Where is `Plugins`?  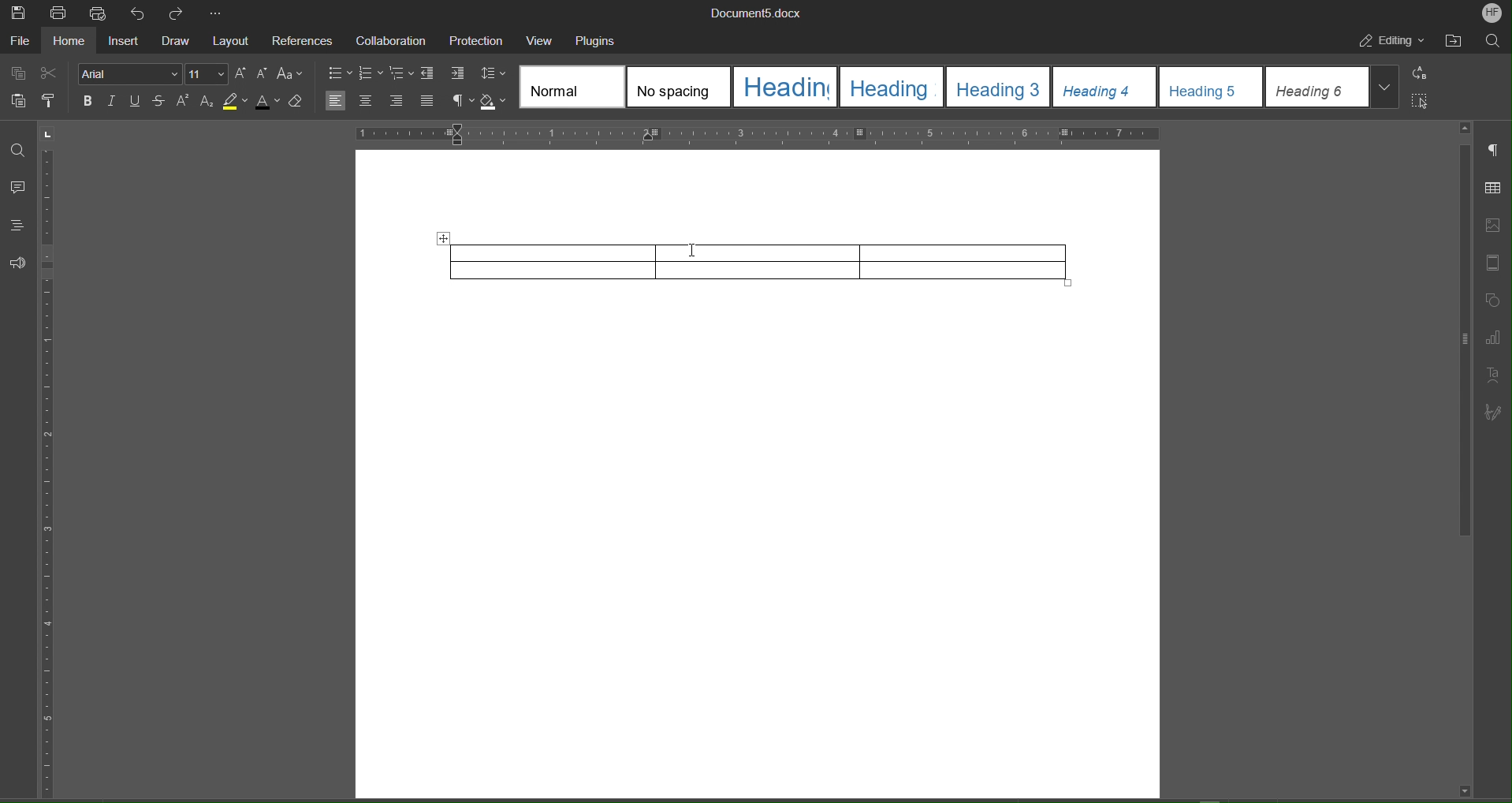 Plugins is located at coordinates (598, 41).